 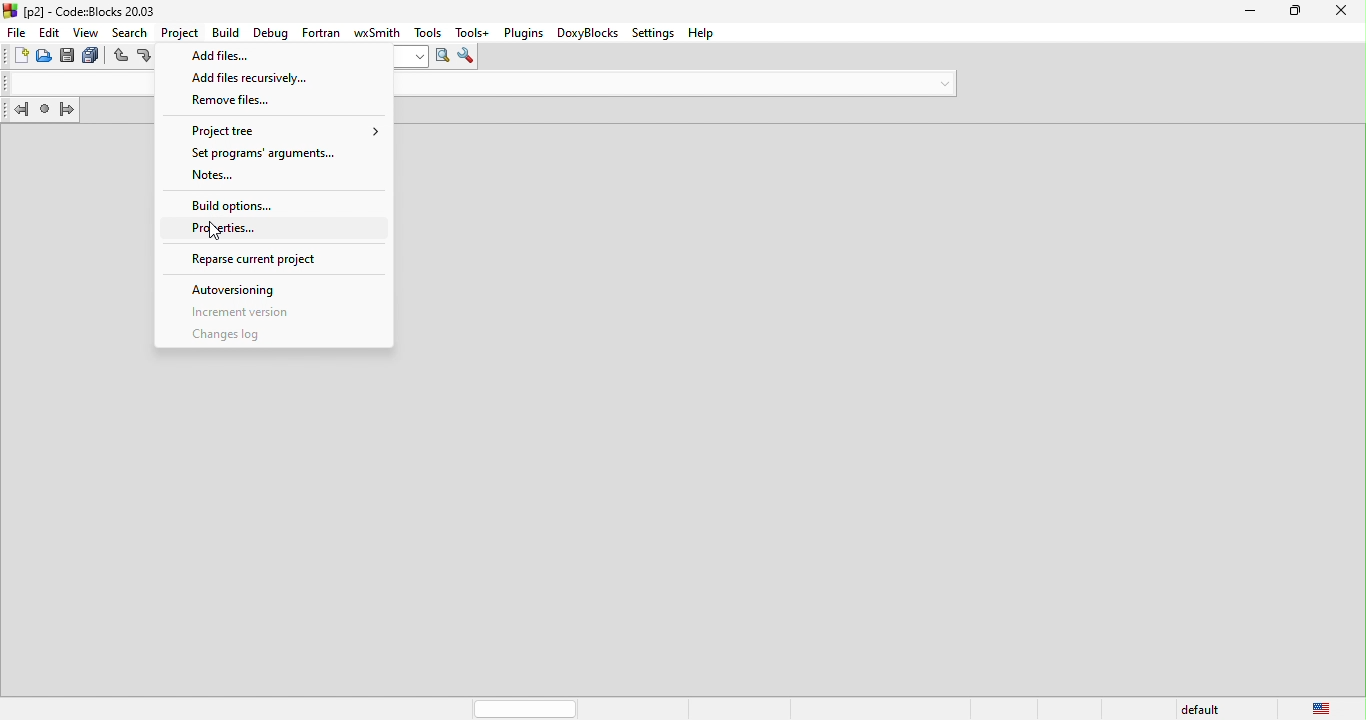 What do you see at coordinates (272, 154) in the screenshot?
I see `set programs arguments` at bounding box center [272, 154].